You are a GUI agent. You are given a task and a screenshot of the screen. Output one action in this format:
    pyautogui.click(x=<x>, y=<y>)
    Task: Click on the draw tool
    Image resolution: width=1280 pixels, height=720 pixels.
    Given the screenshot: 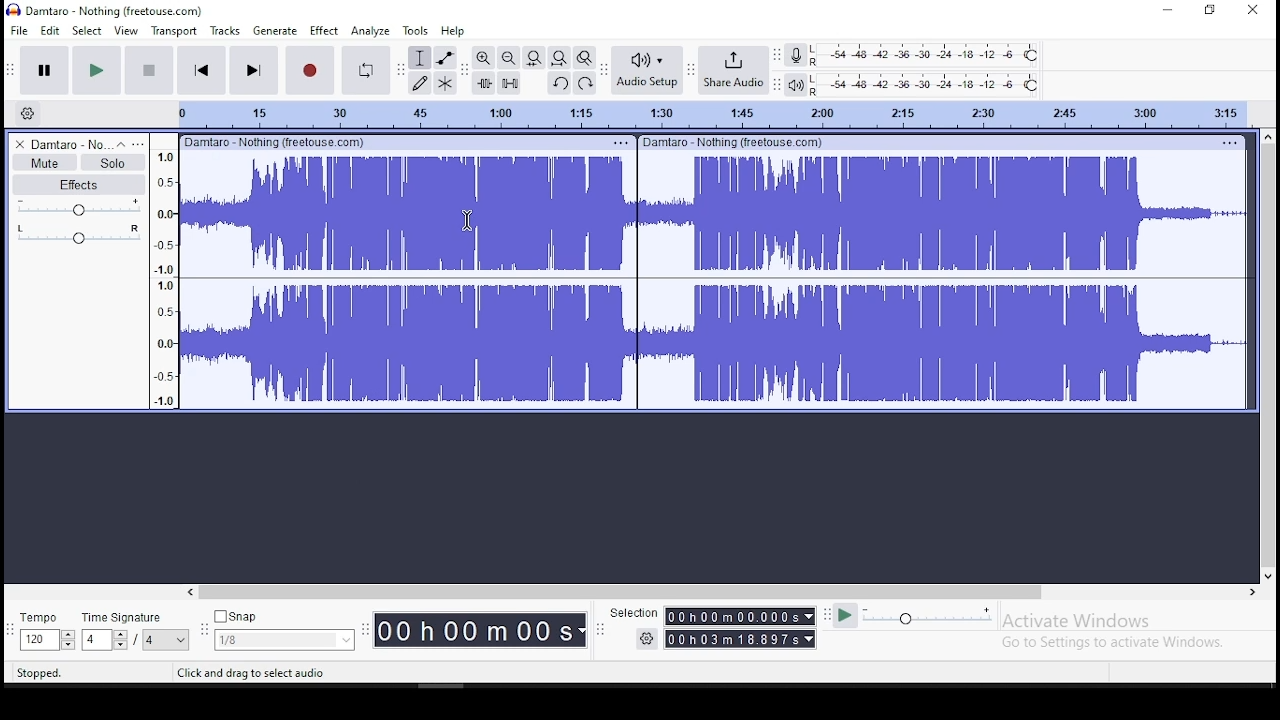 What is the action you would take?
    pyautogui.click(x=417, y=83)
    